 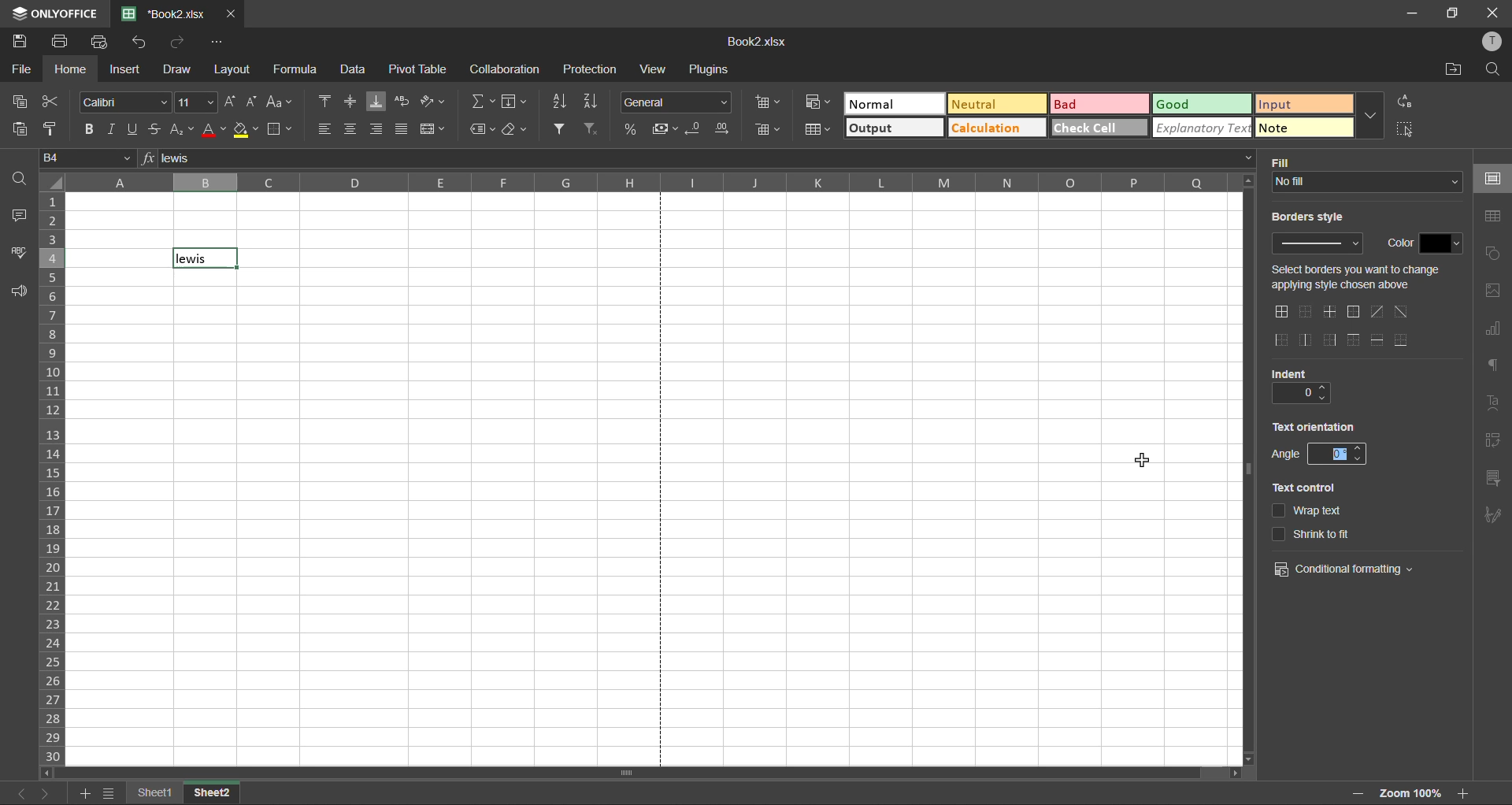 I want to click on sheet names, so click(x=150, y=793).